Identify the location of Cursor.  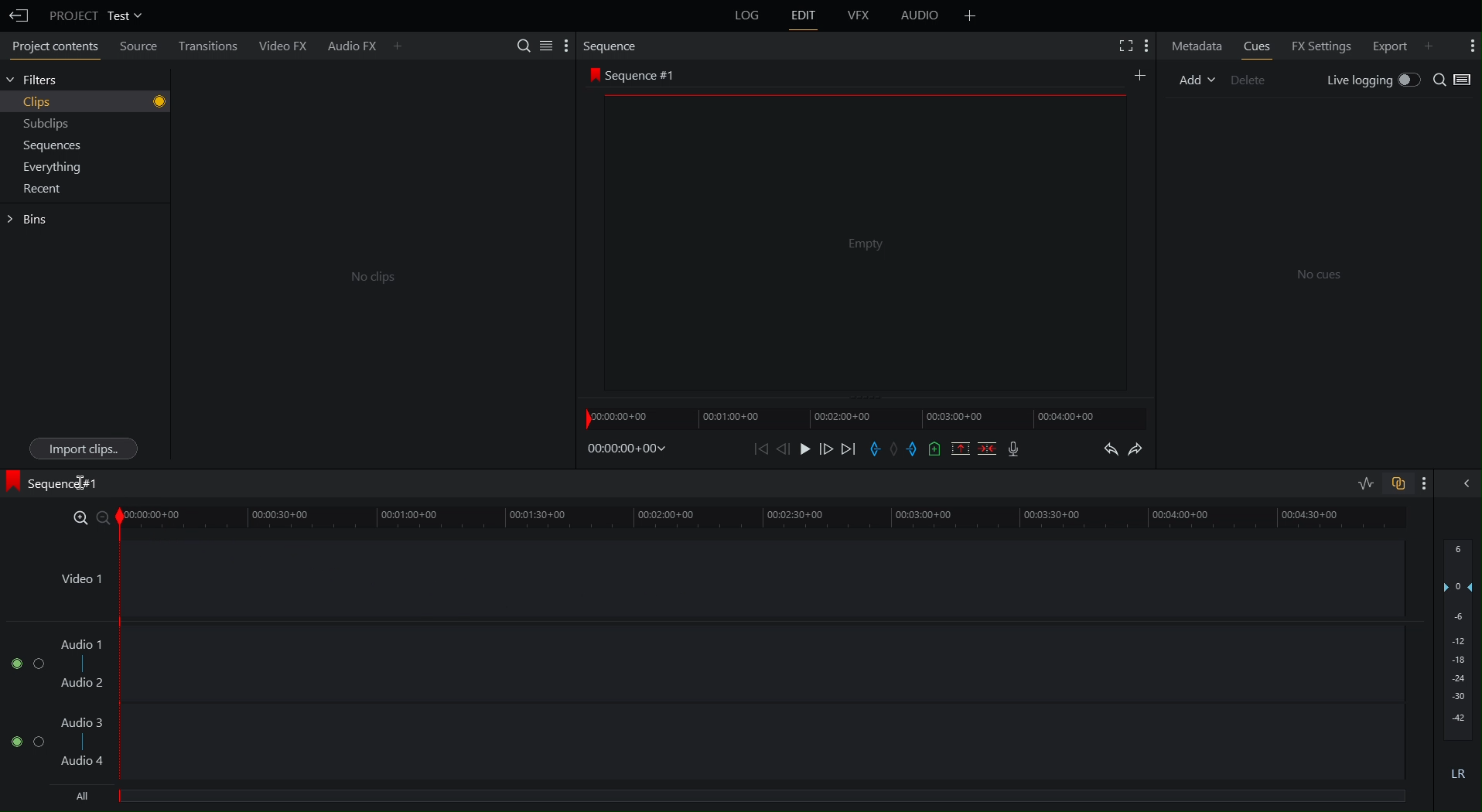
(81, 480).